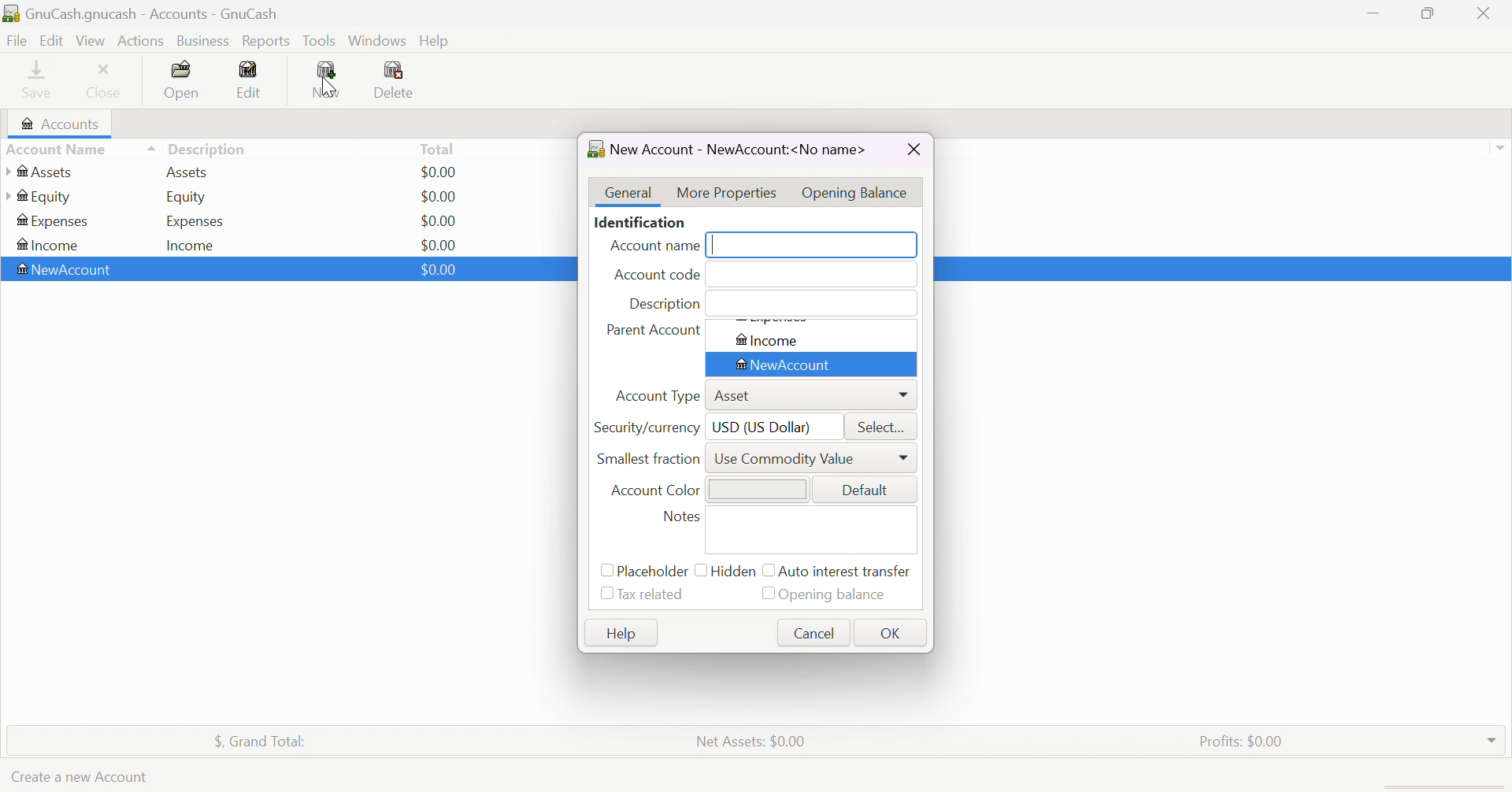 Image resolution: width=1512 pixels, height=792 pixels. I want to click on Business, so click(206, 41).